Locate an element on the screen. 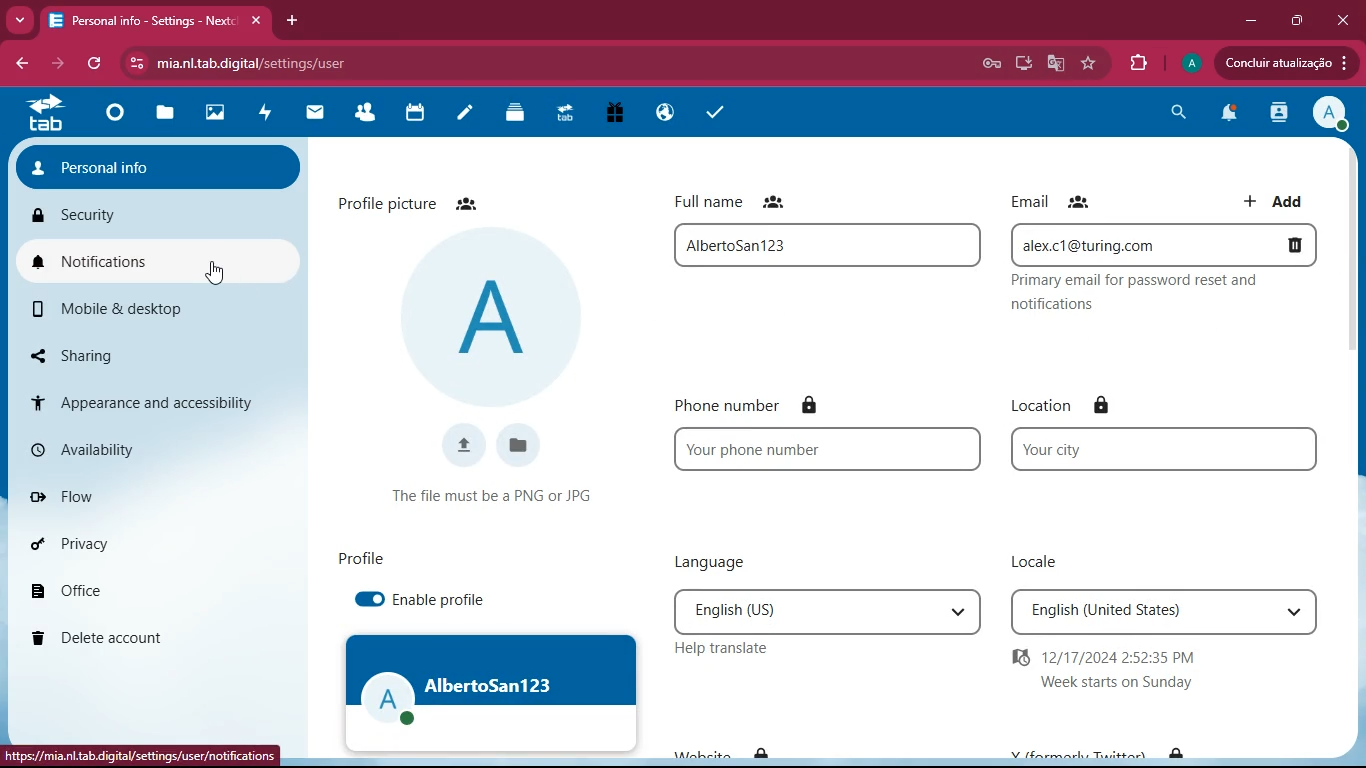  update is located at coordinates (1287, 64).